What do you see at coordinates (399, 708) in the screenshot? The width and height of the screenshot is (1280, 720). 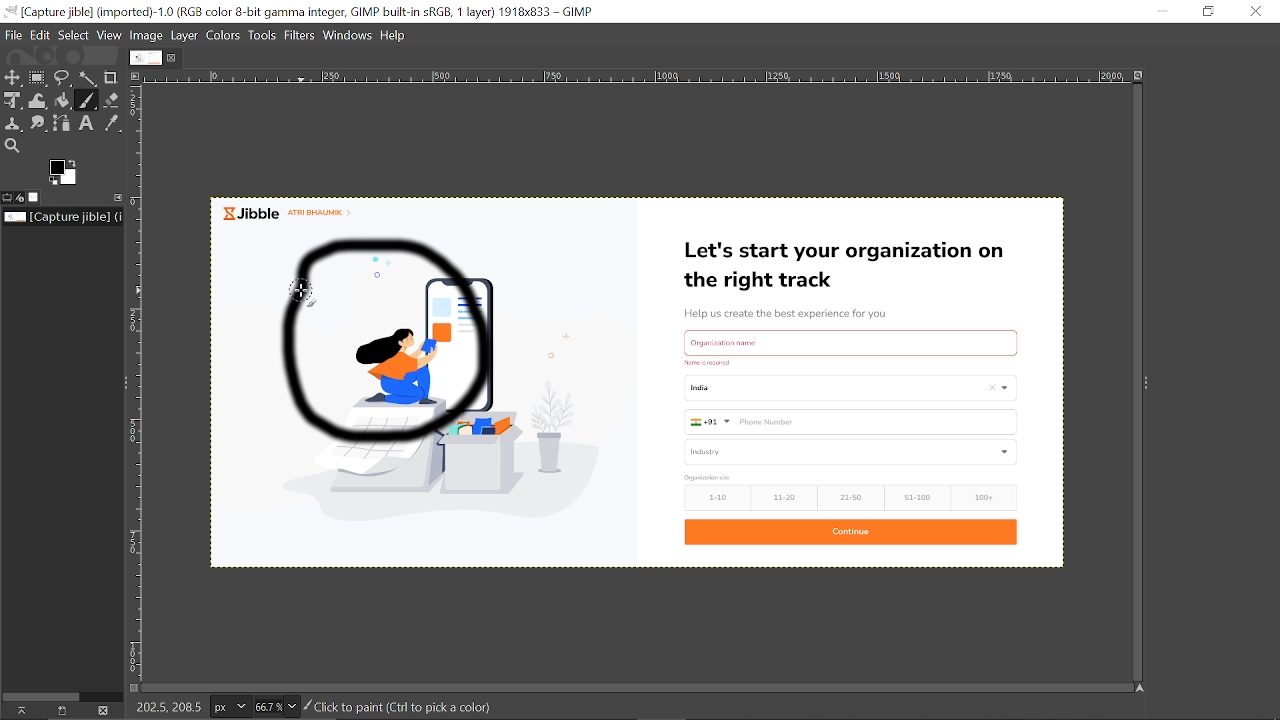 I see `Click to paint(Ctrl to pick a color)` at bounding box center [399, 708].